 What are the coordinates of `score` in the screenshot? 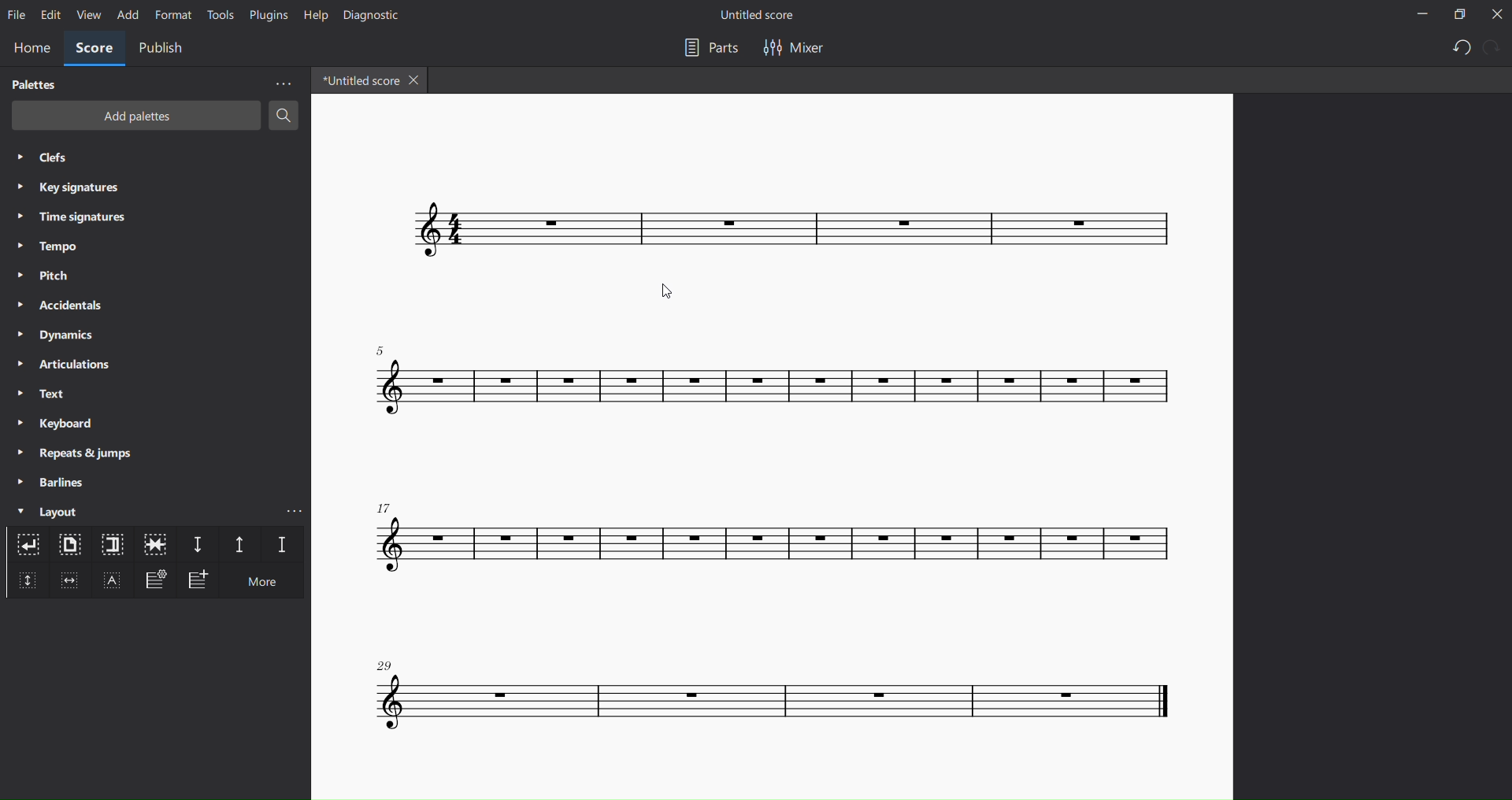 It's located at (94, 50).